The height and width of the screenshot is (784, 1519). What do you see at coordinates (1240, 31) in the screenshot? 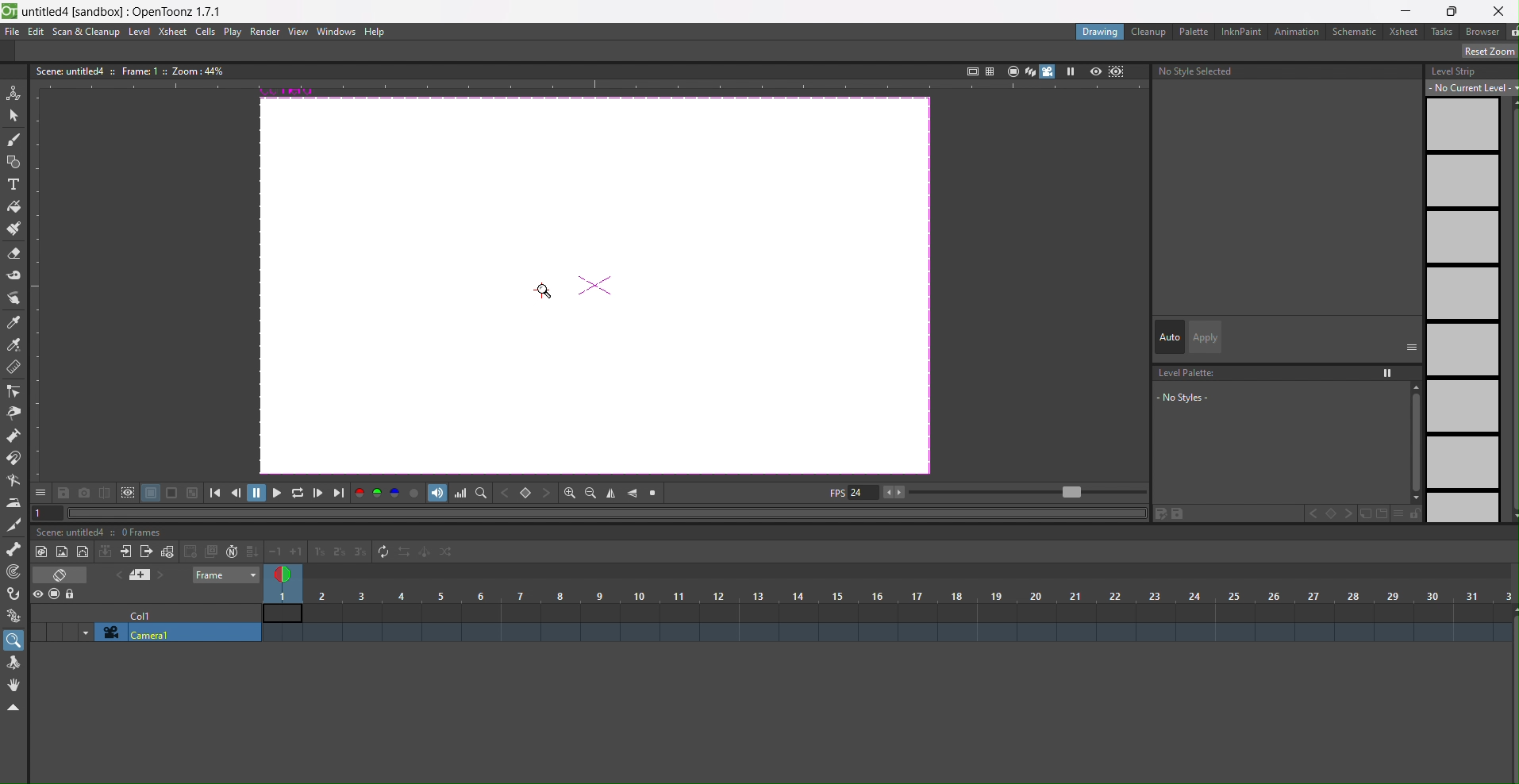
I see `inknpaint` at bounding box center [1240, 31].